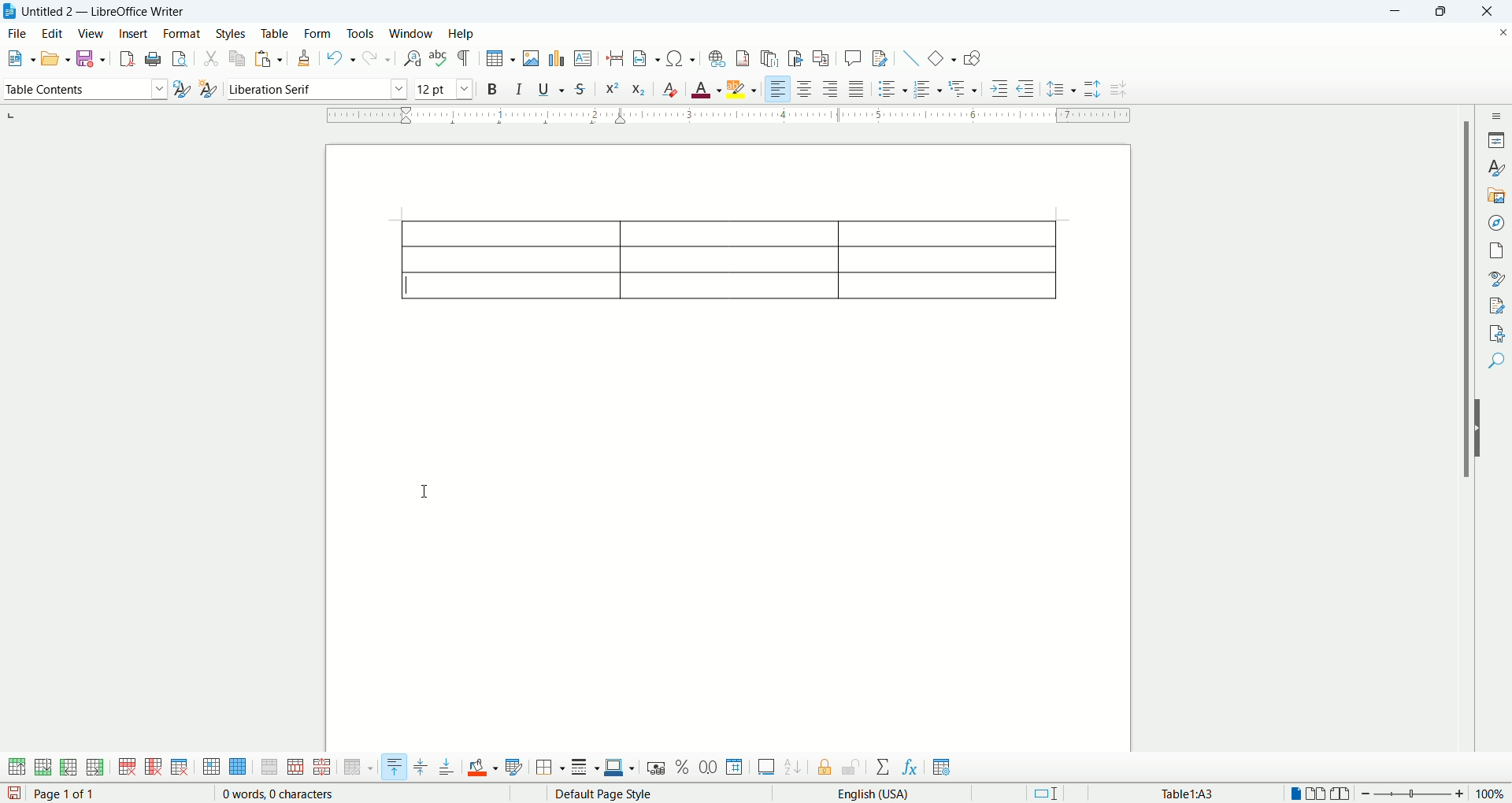  I want to click on border color, so click(620, 768).